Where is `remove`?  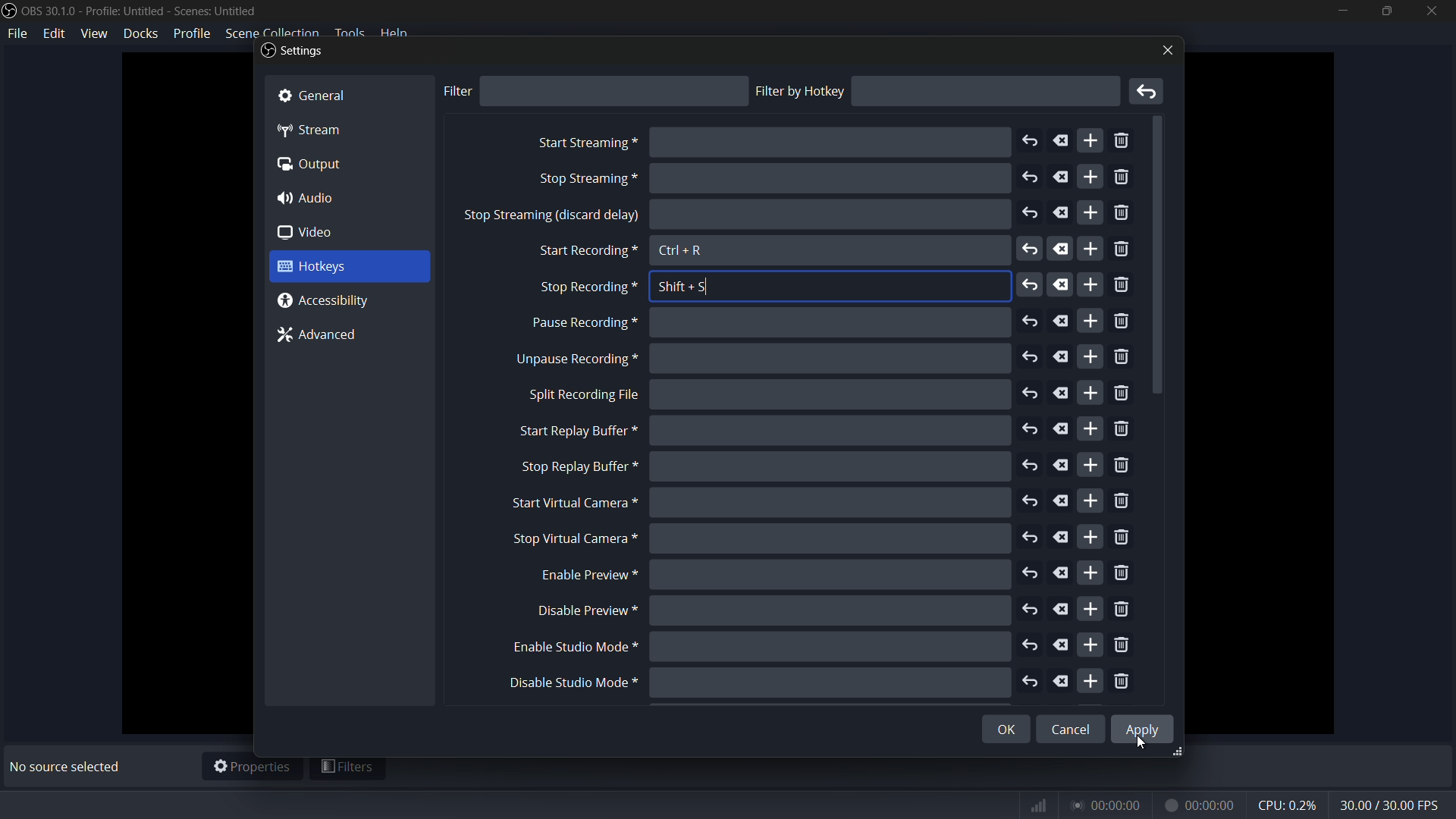
remove is located at coordinates (1122, 287).